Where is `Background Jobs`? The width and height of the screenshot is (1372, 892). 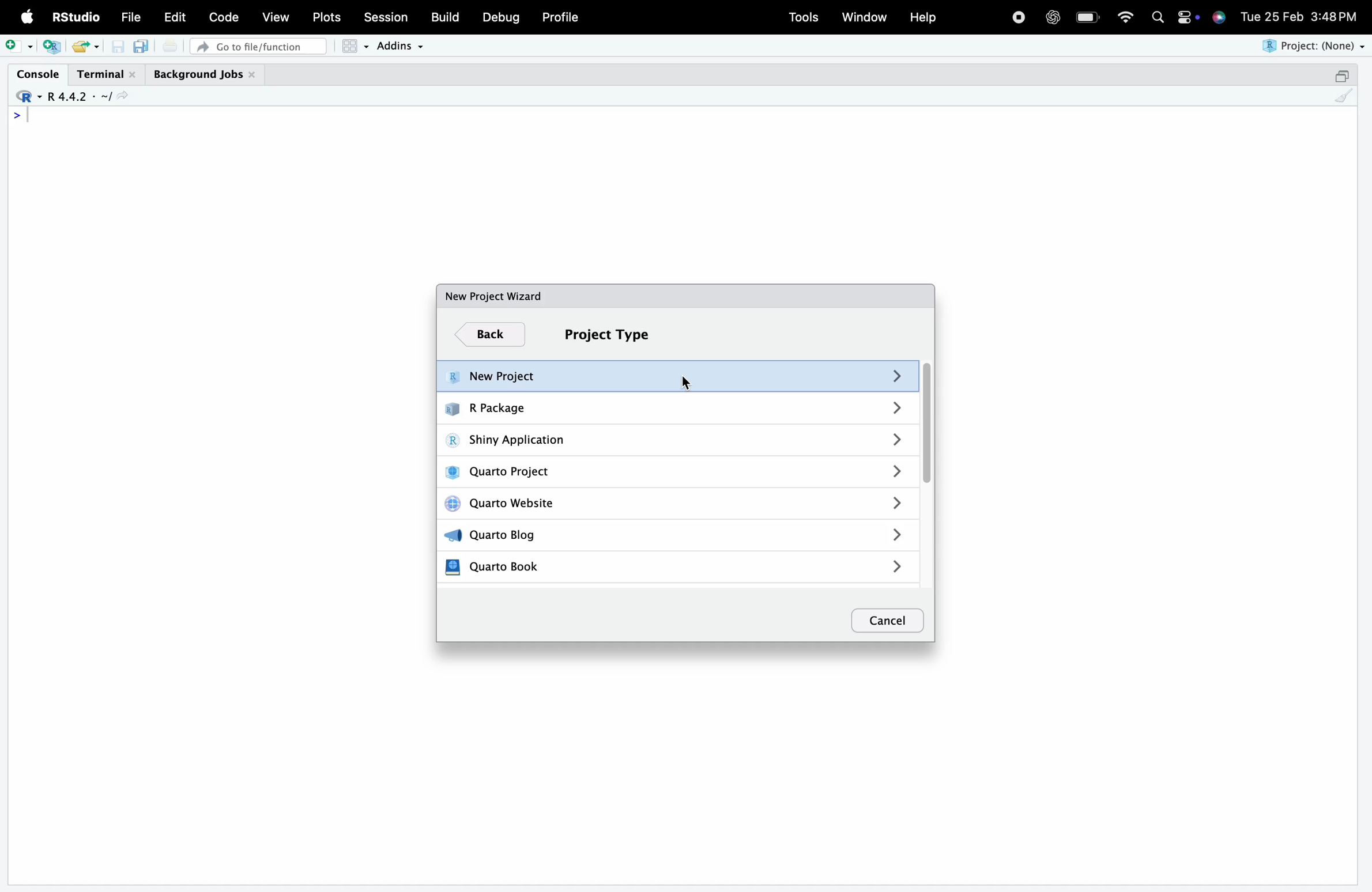 Background Jobs is located at coordinates (205, 75).